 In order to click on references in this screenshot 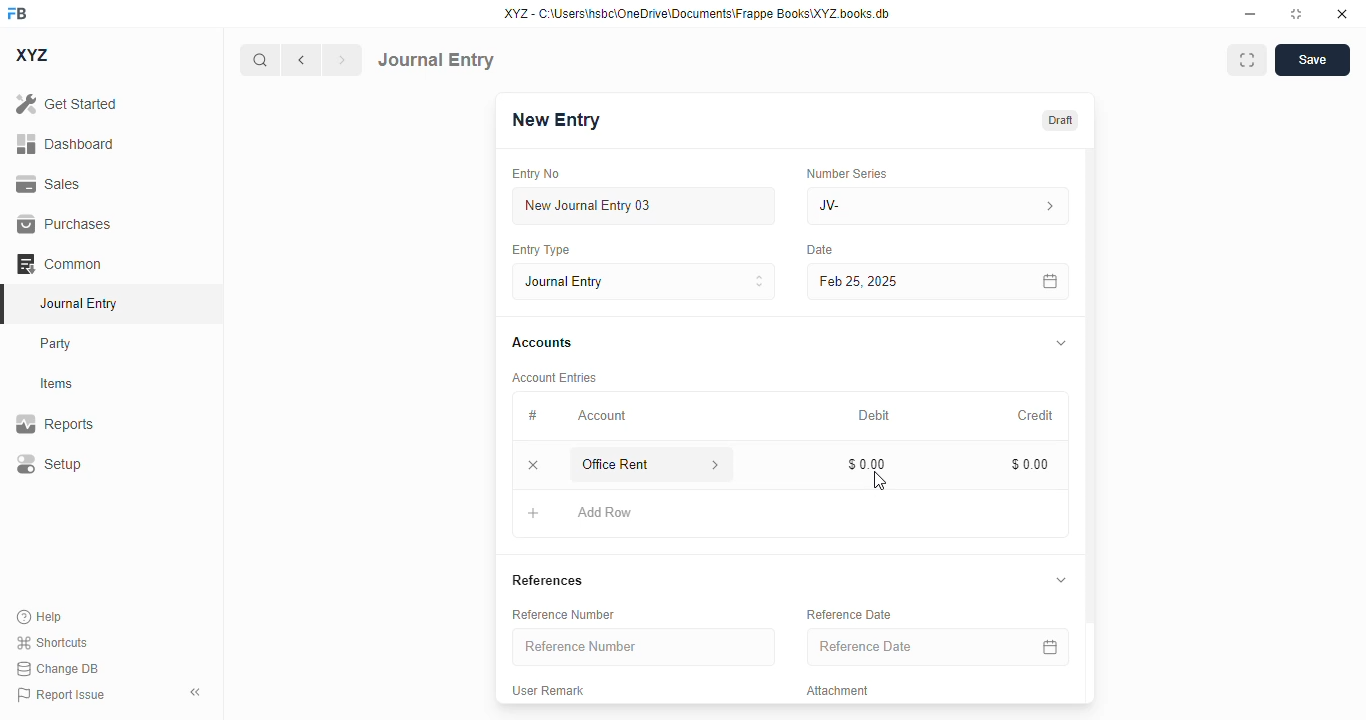, I will do `click(547, 580)`.